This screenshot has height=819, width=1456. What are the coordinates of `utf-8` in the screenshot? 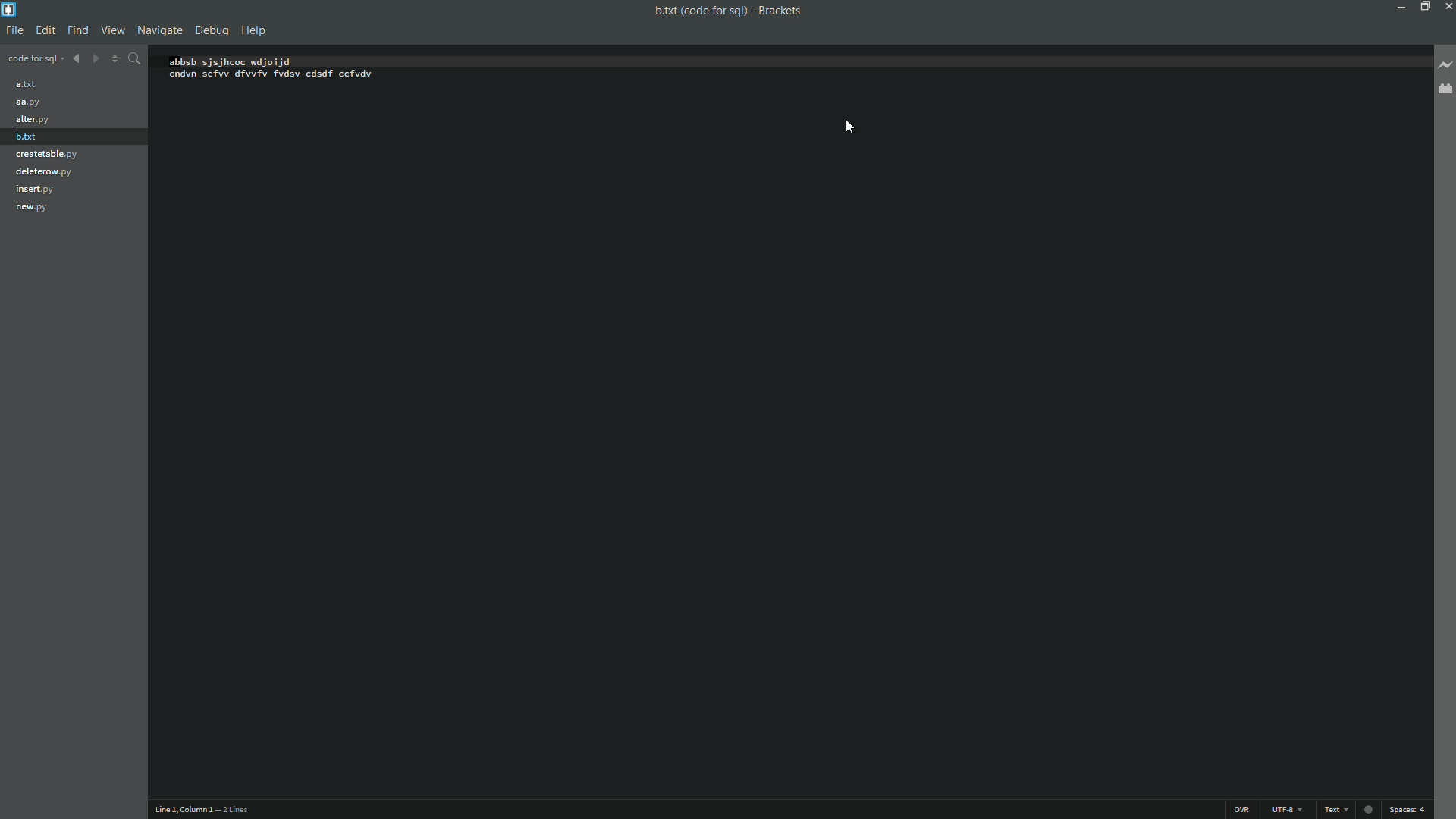 It's located at (1285, 808).